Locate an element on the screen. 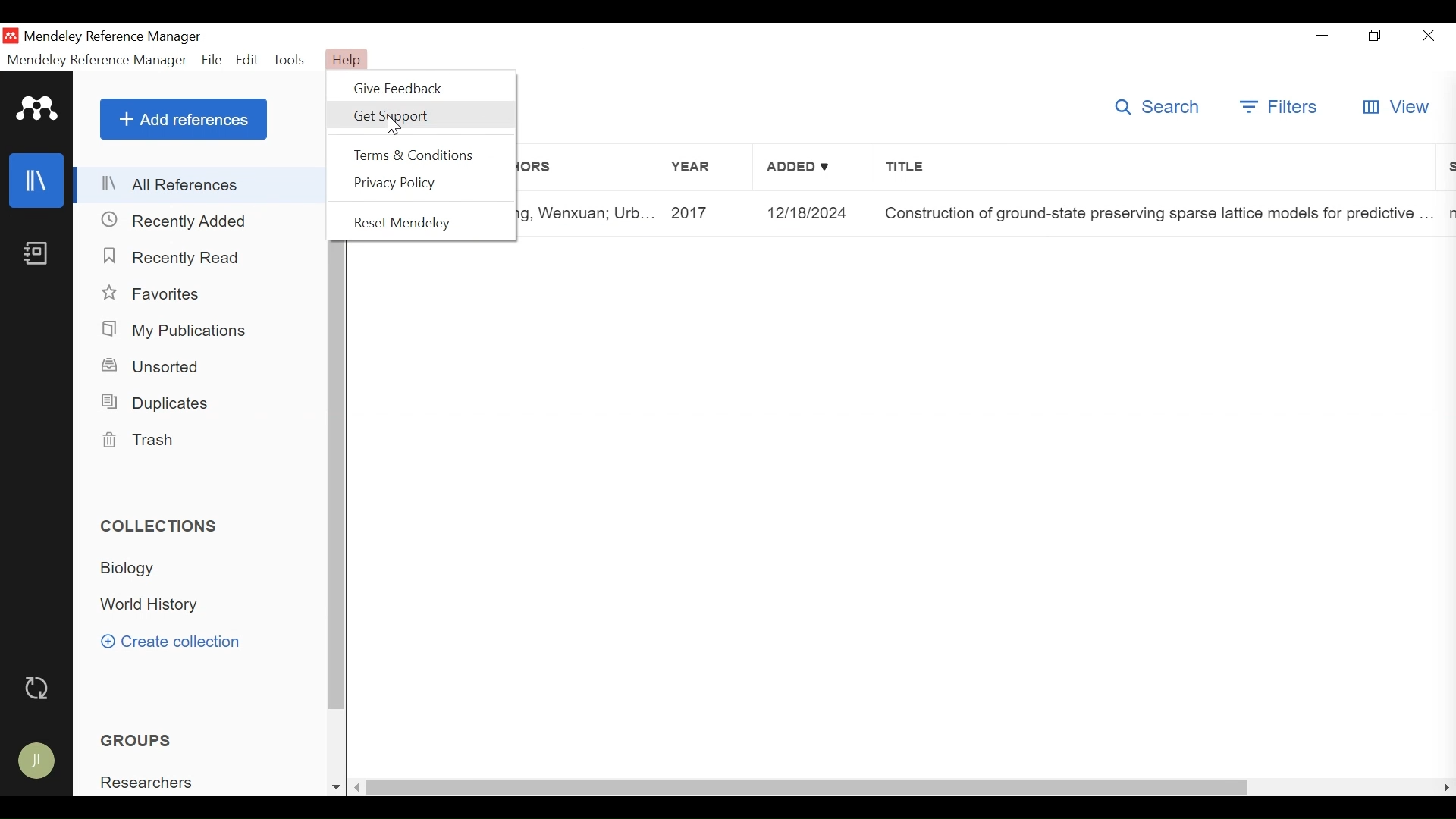 This screenshot has height=819, width=1456. Scroll down is located at coordinates (337, 787).